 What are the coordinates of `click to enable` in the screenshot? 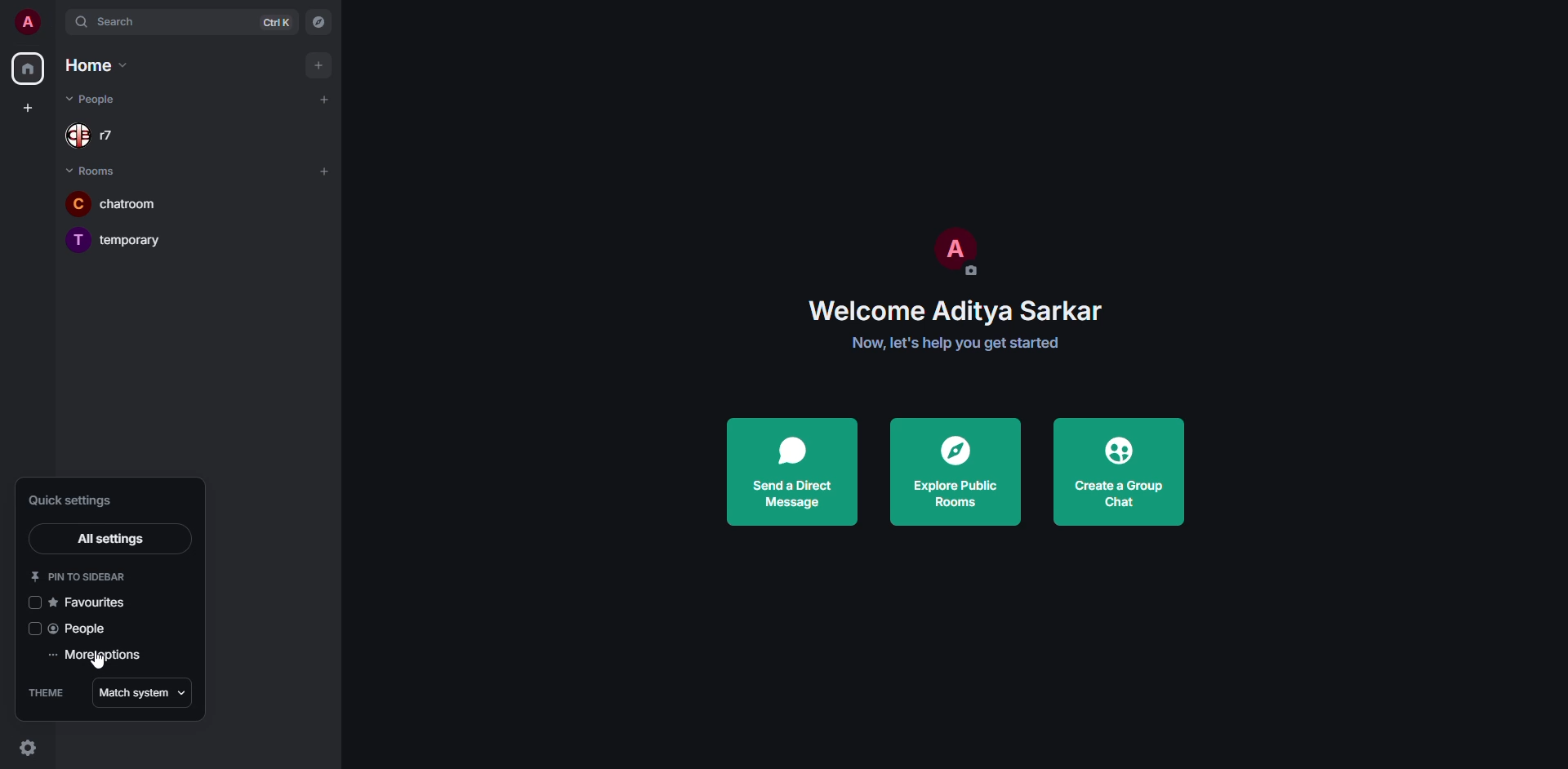 It's located at (32, 629).